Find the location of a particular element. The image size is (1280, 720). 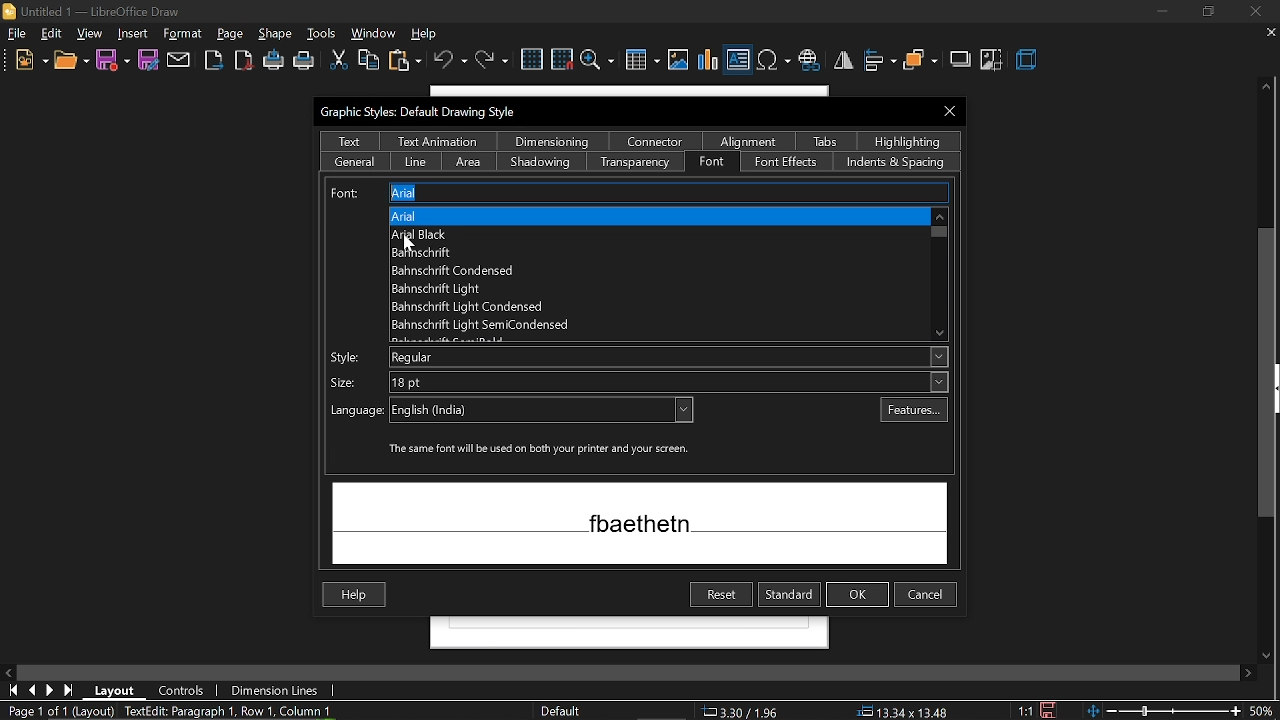

Bahnschrift Condensed is located at coordinates (476, 271).